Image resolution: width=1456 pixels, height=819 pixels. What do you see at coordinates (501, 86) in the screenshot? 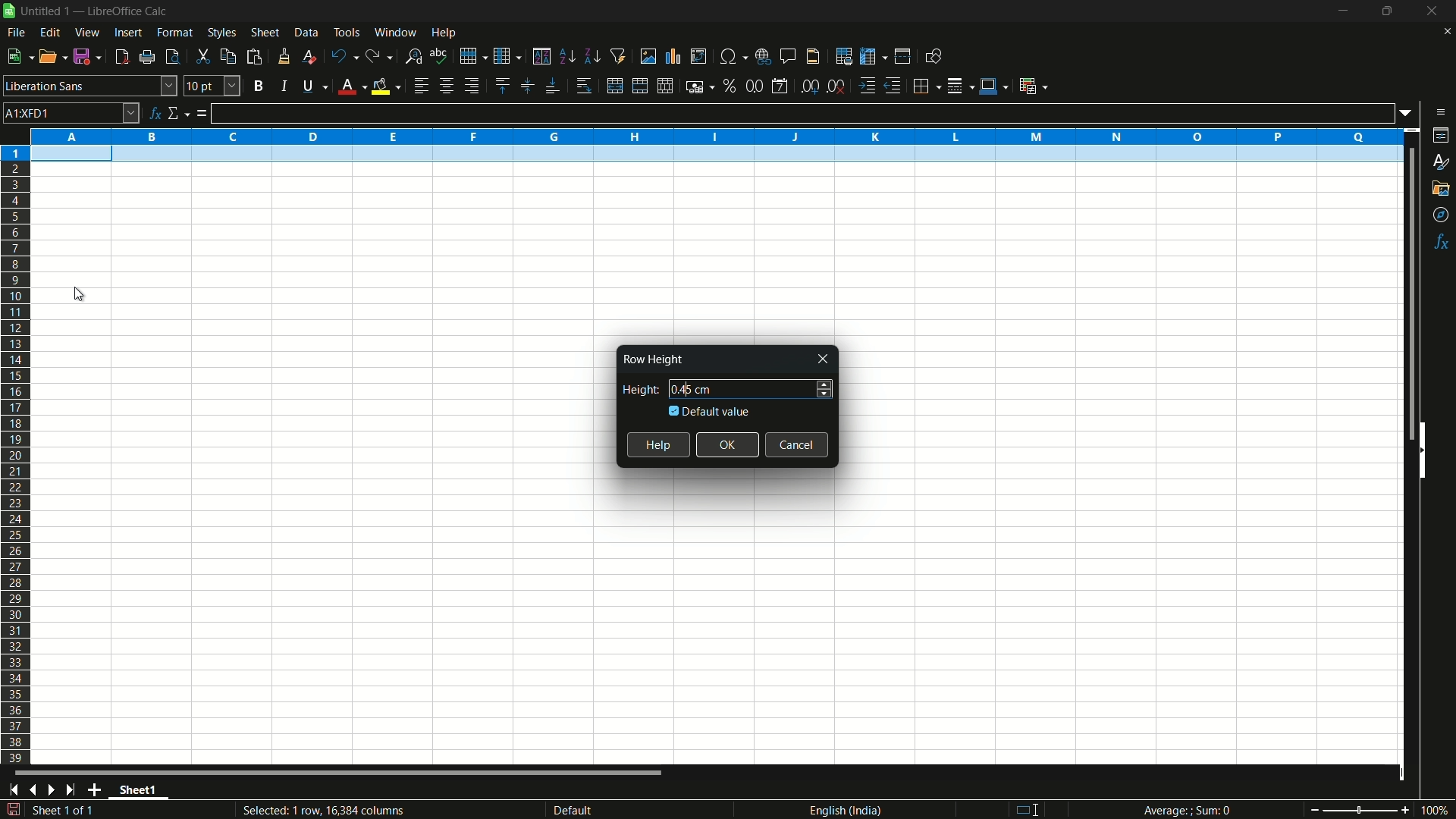
I see `align top` at bounding box center [501, 86].